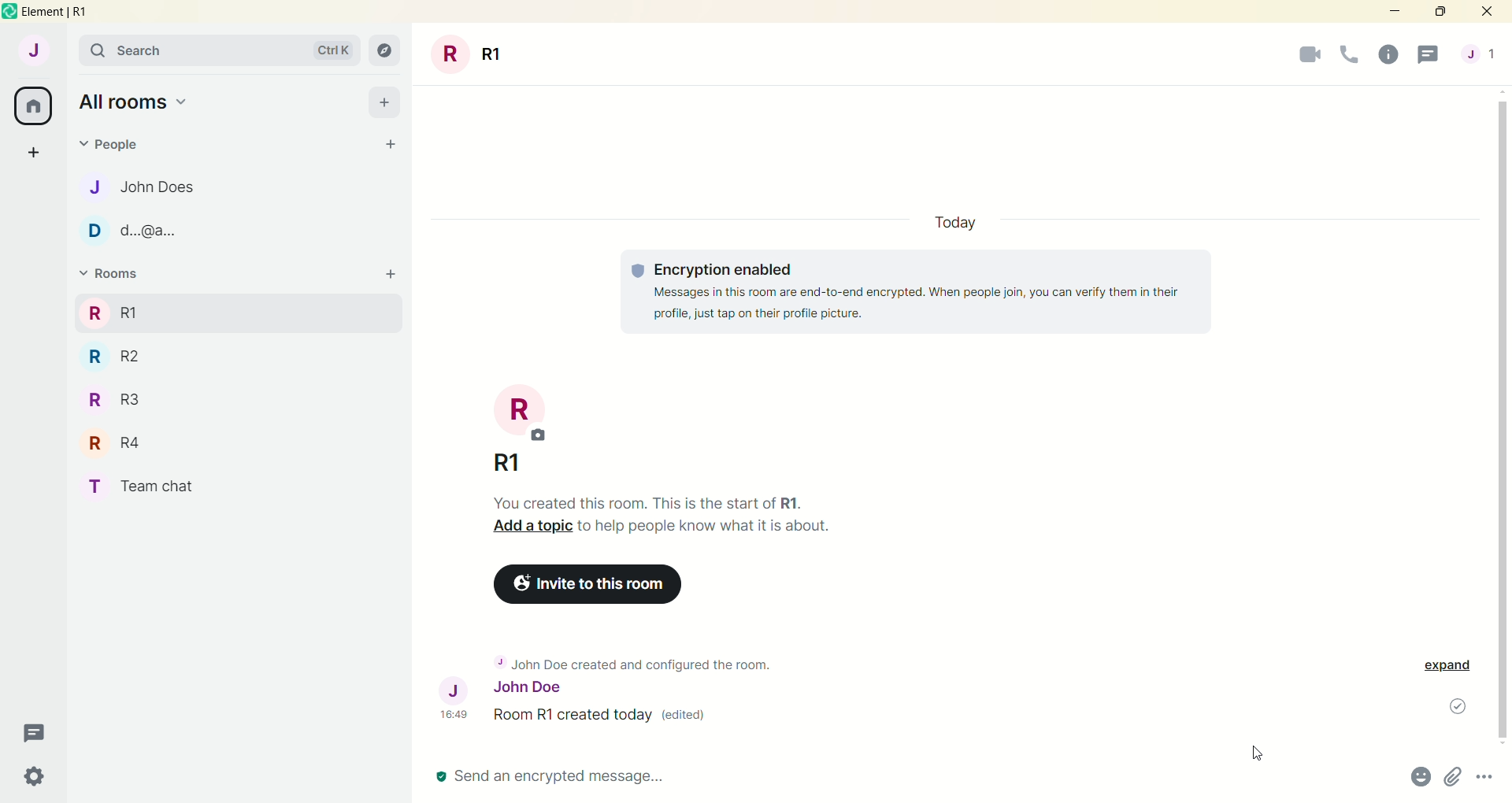 The width and height of the screenshot is (1512, 803). I want to click on all rooms, so click(34, 106).